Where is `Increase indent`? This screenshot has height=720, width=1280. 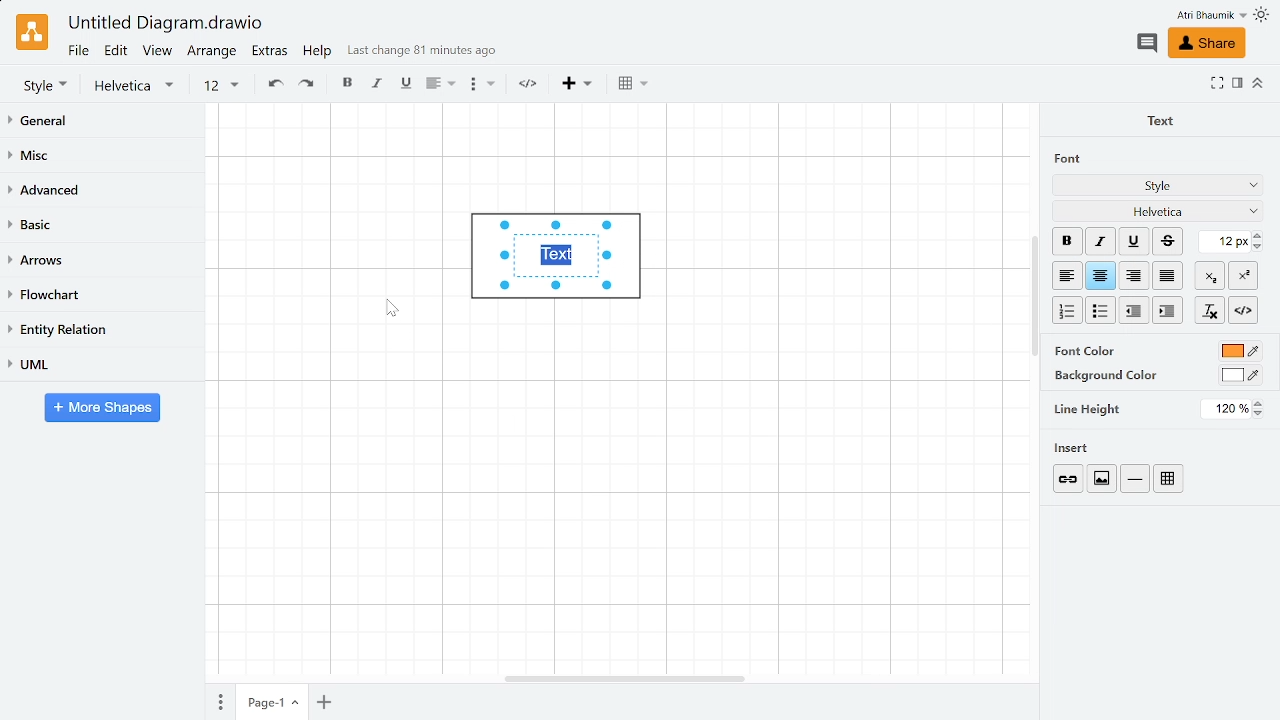 Increase indent is located at coordinates (1135, 309).